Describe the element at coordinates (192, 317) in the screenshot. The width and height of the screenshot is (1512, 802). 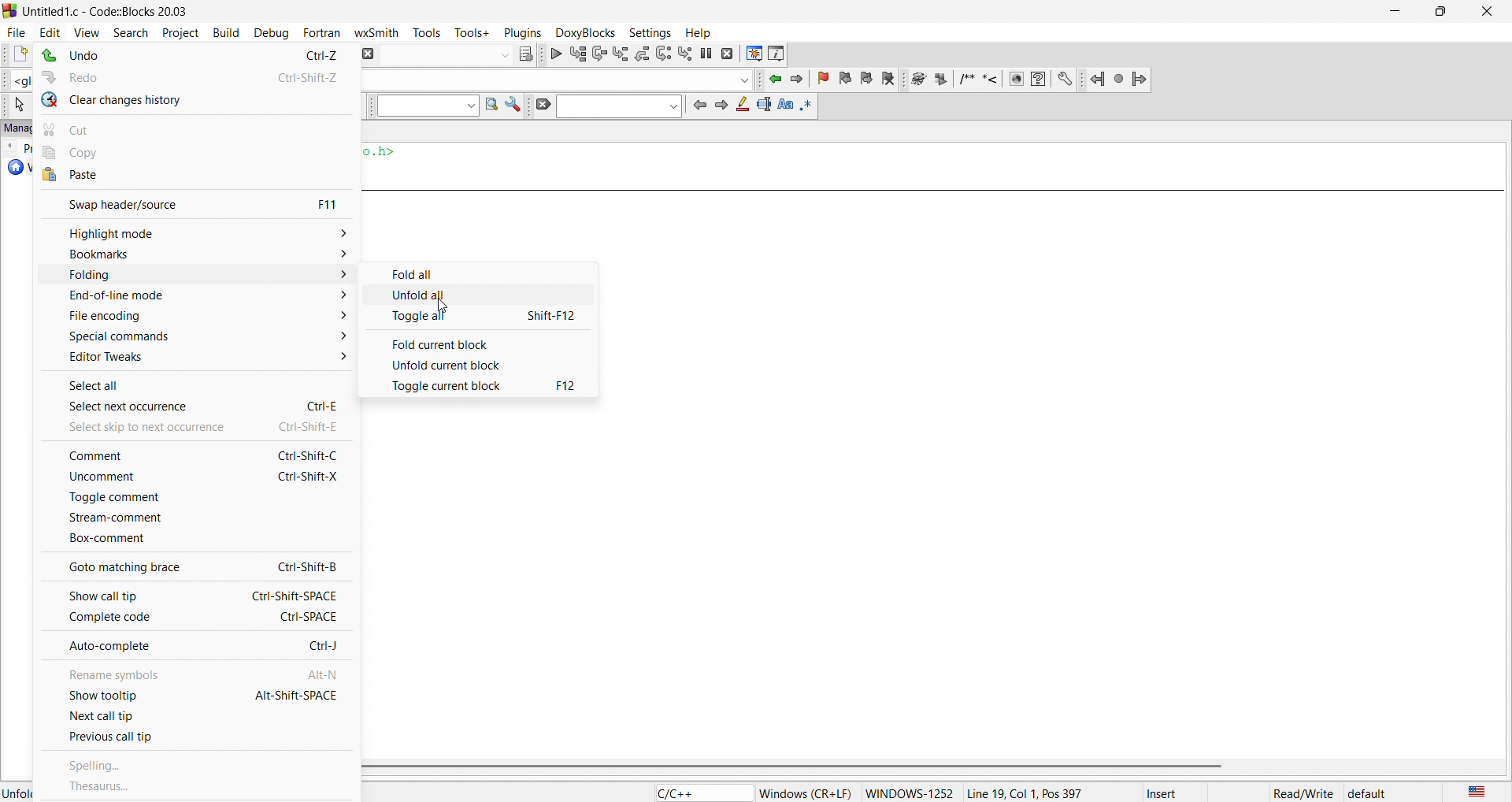
I see `file encoding` at that location.